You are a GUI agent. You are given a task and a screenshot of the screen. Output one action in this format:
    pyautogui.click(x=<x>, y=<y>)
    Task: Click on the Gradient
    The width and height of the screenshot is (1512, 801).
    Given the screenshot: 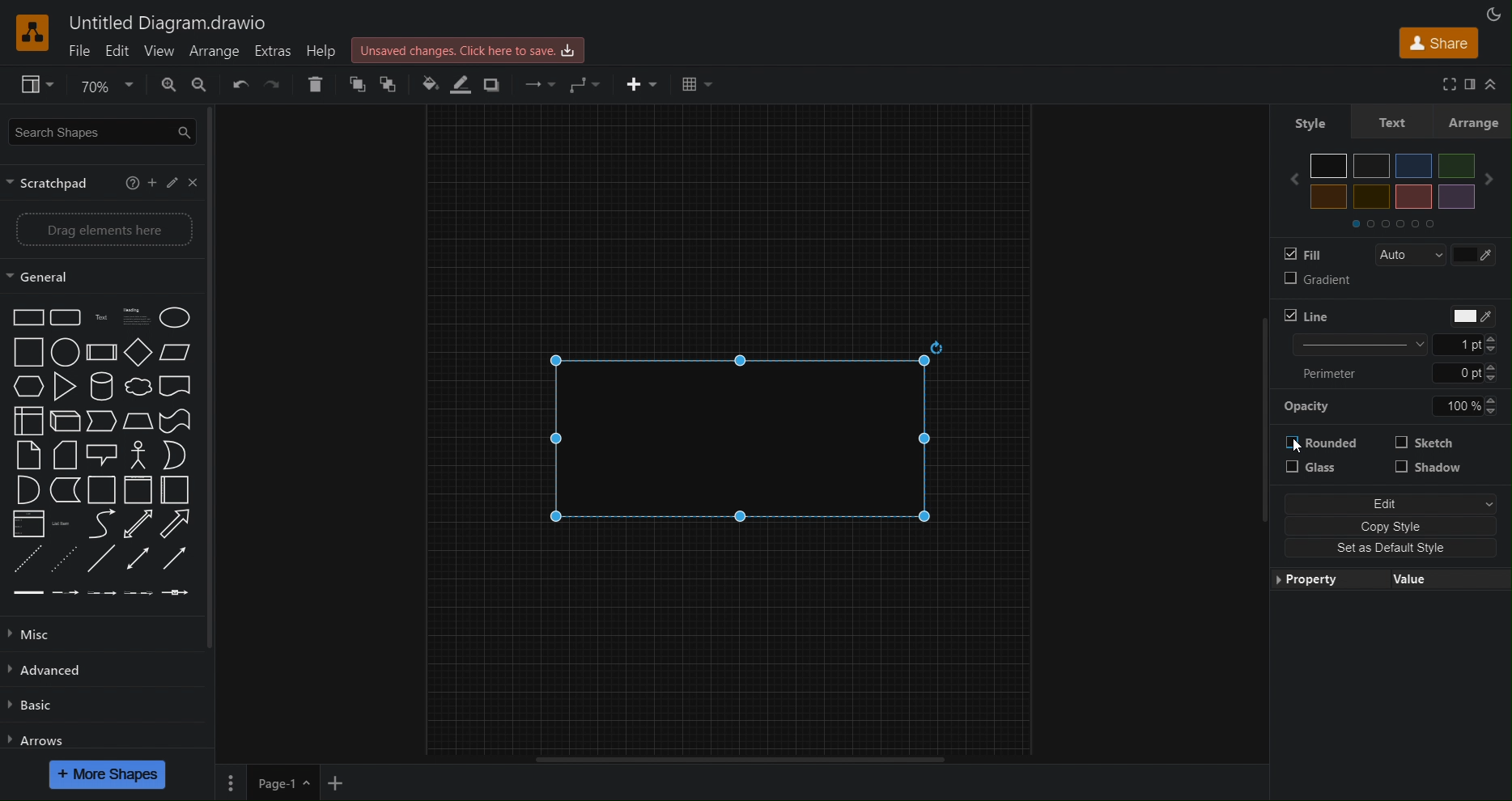 What is the action you would take?
    pyautogui.click(x=1314, y=283)
    